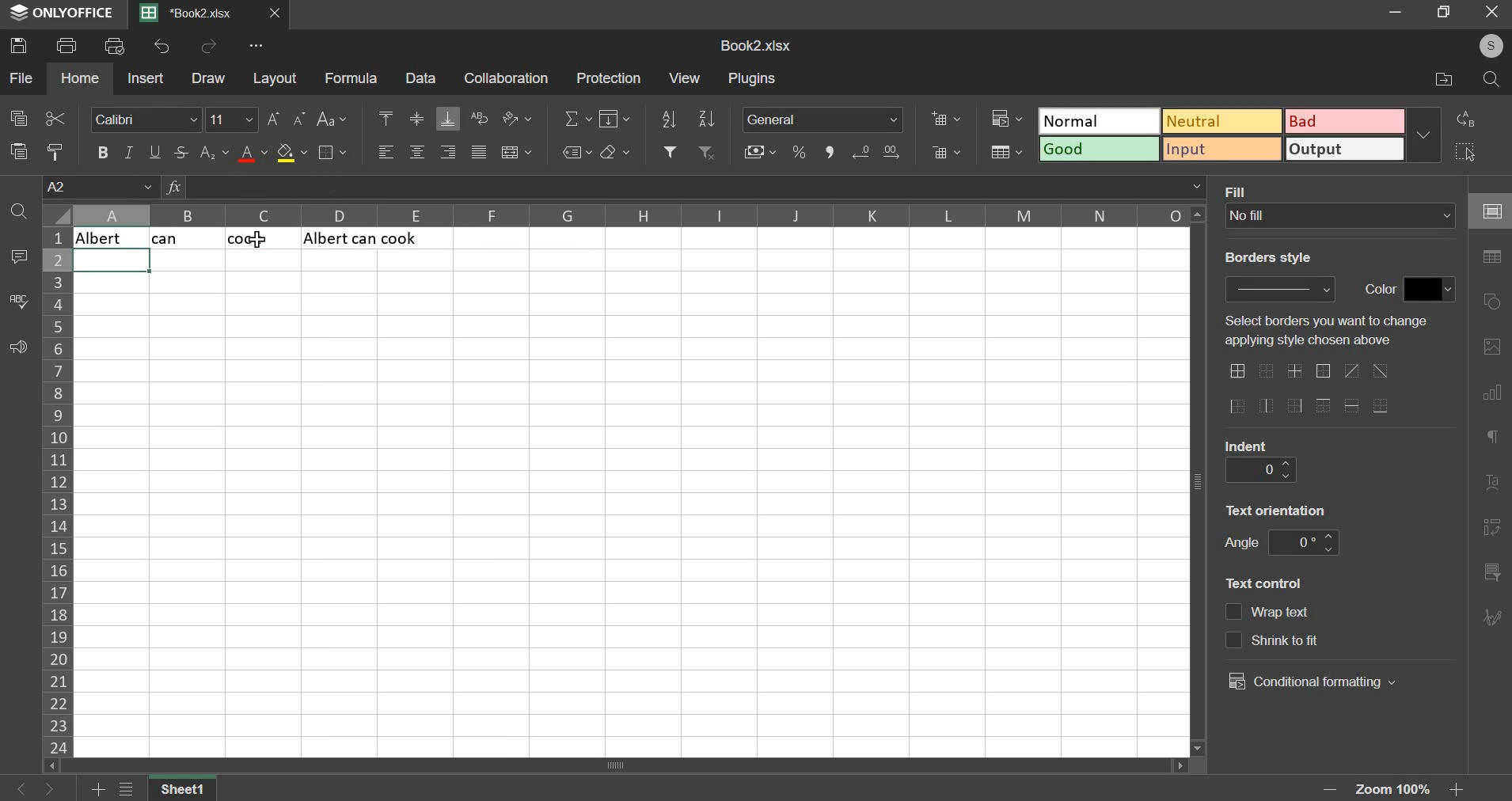 Image resolution: width=1512 pixels, height=801 pixels. What do you see at coordinates (1320, 332) in the screenshot?
I see `text` at bounding box center [1320, 332].